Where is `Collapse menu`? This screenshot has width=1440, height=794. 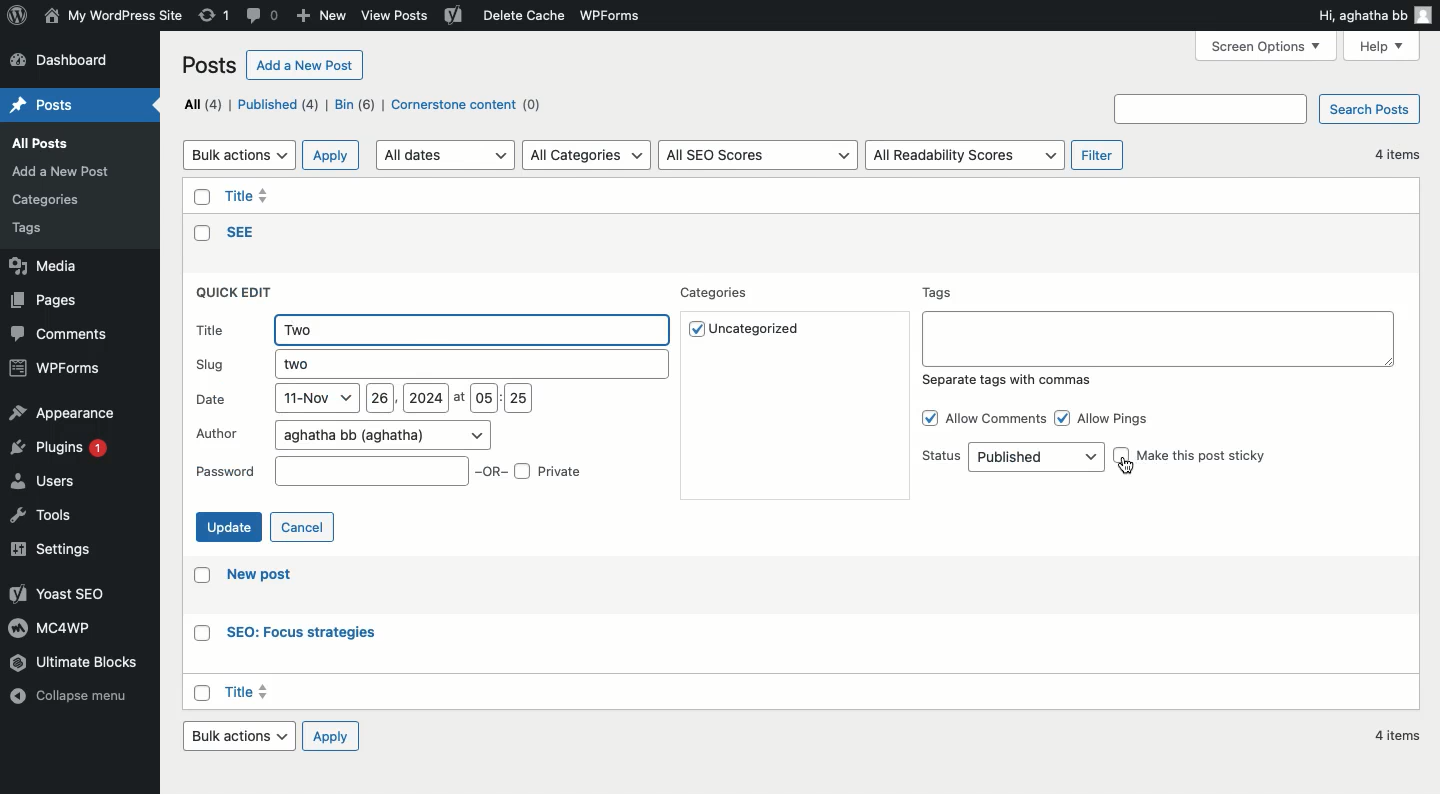 Collapse menu is located at coordinates (72, 706).